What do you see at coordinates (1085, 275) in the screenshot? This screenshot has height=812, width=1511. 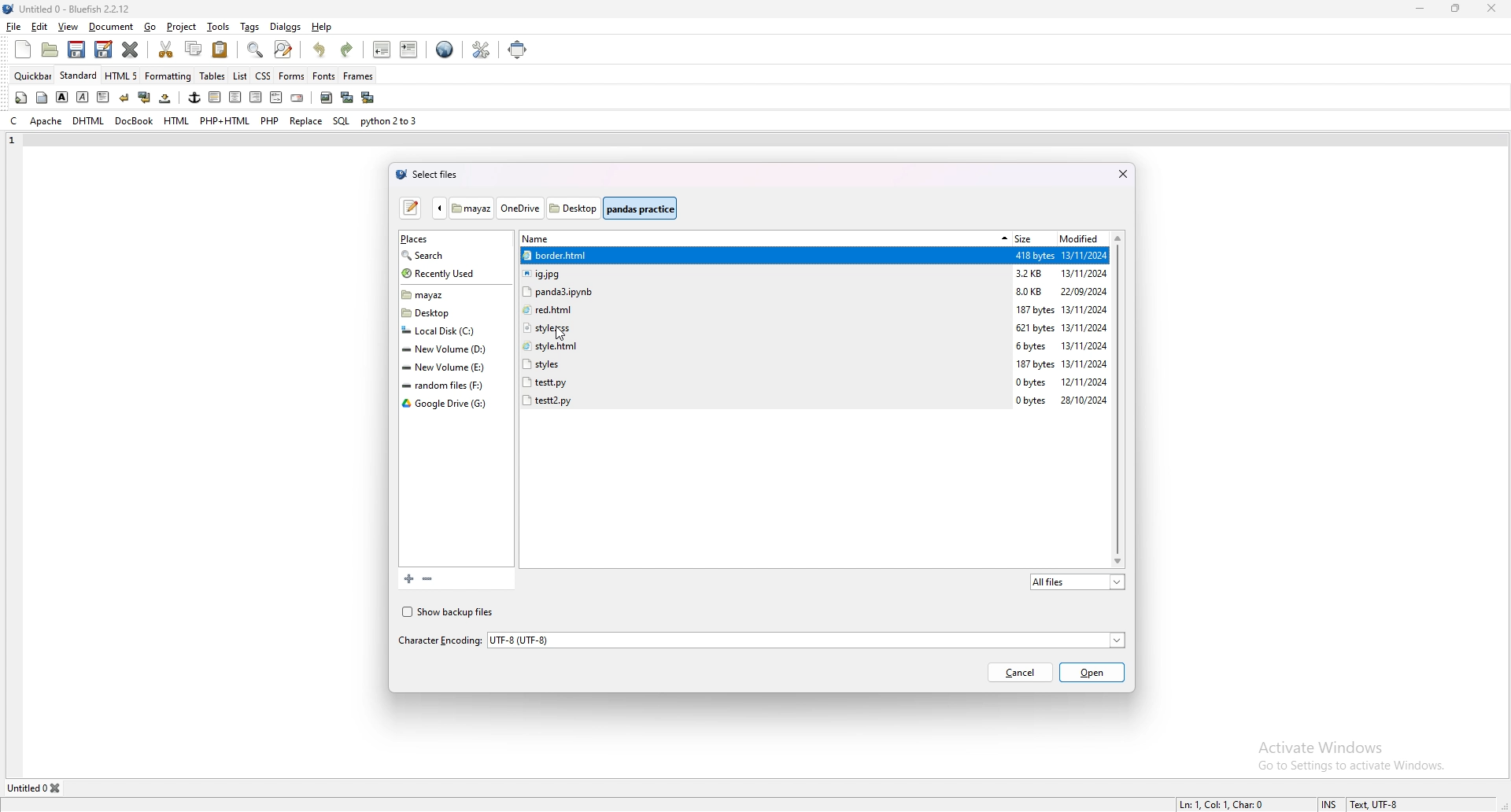 I see `13/11/2024` at bounding box center [1085, 275].